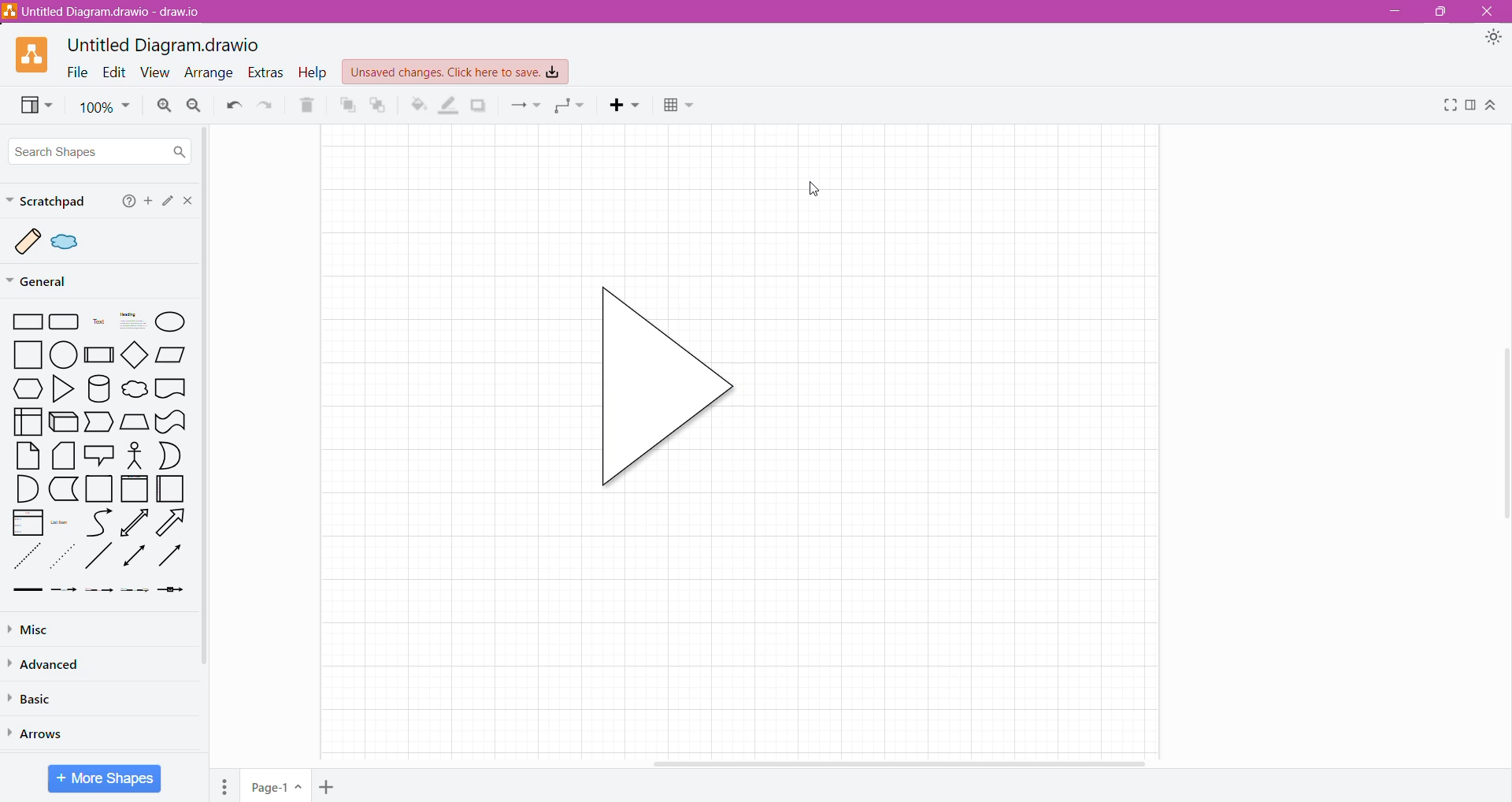 The width and height of the screenshot is (1512, 802). I want to click on Edit, so click(167, 202).